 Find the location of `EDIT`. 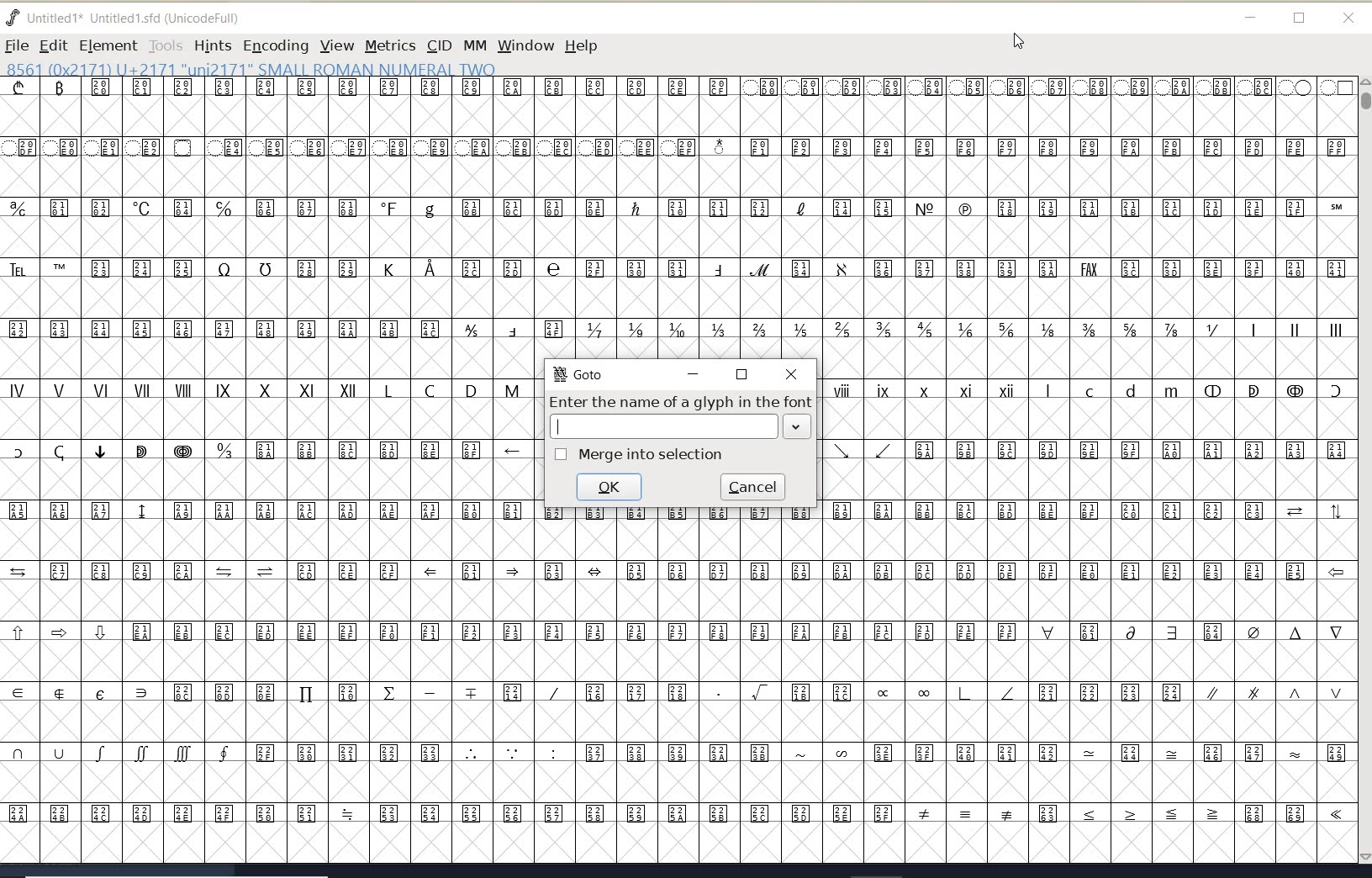

EDIT is located at coordinates (53, 45).